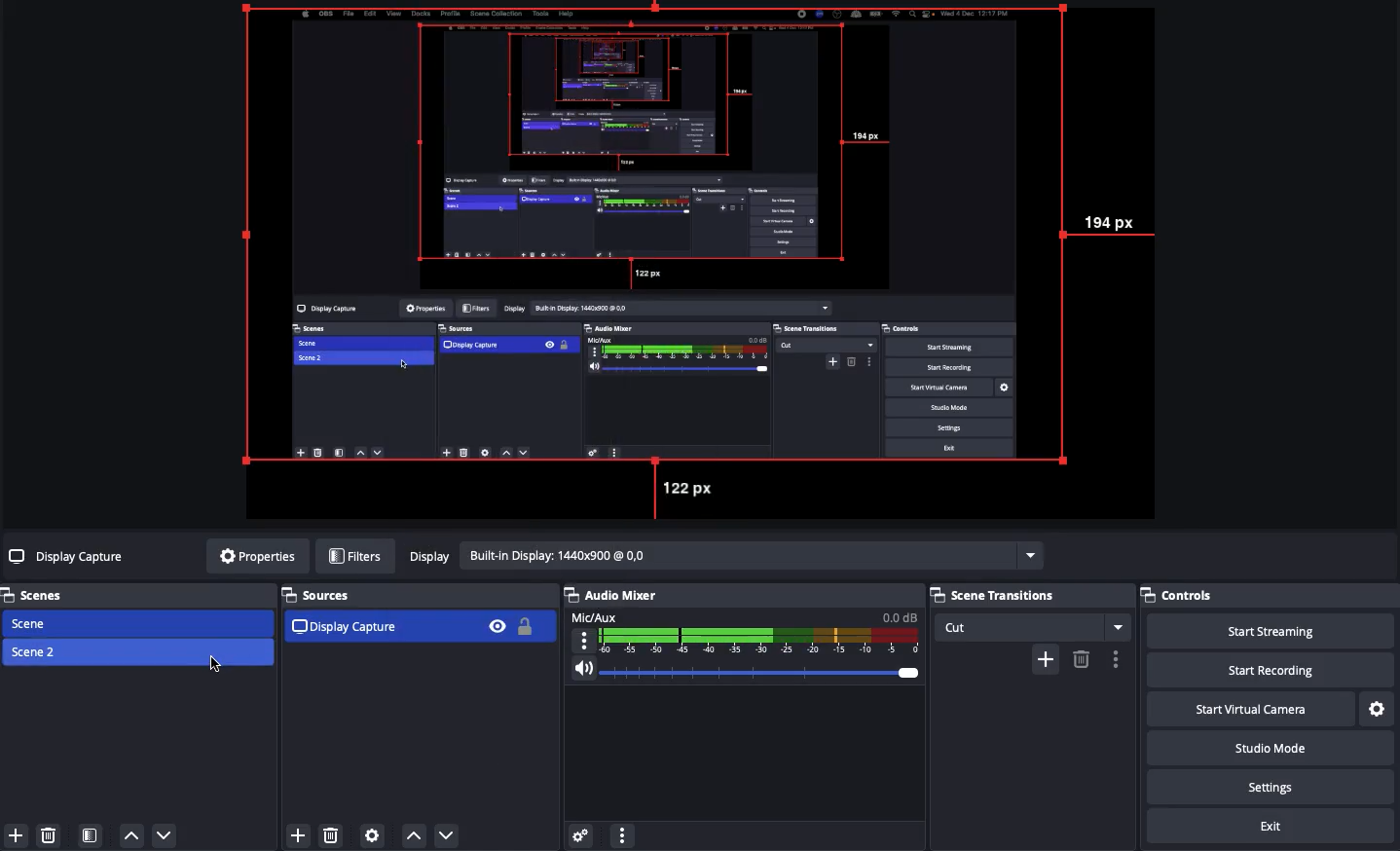  What do you see at coordinates (526, 627) in the screenshot?
I see `Unlocked` at bounding box center [526, 627].